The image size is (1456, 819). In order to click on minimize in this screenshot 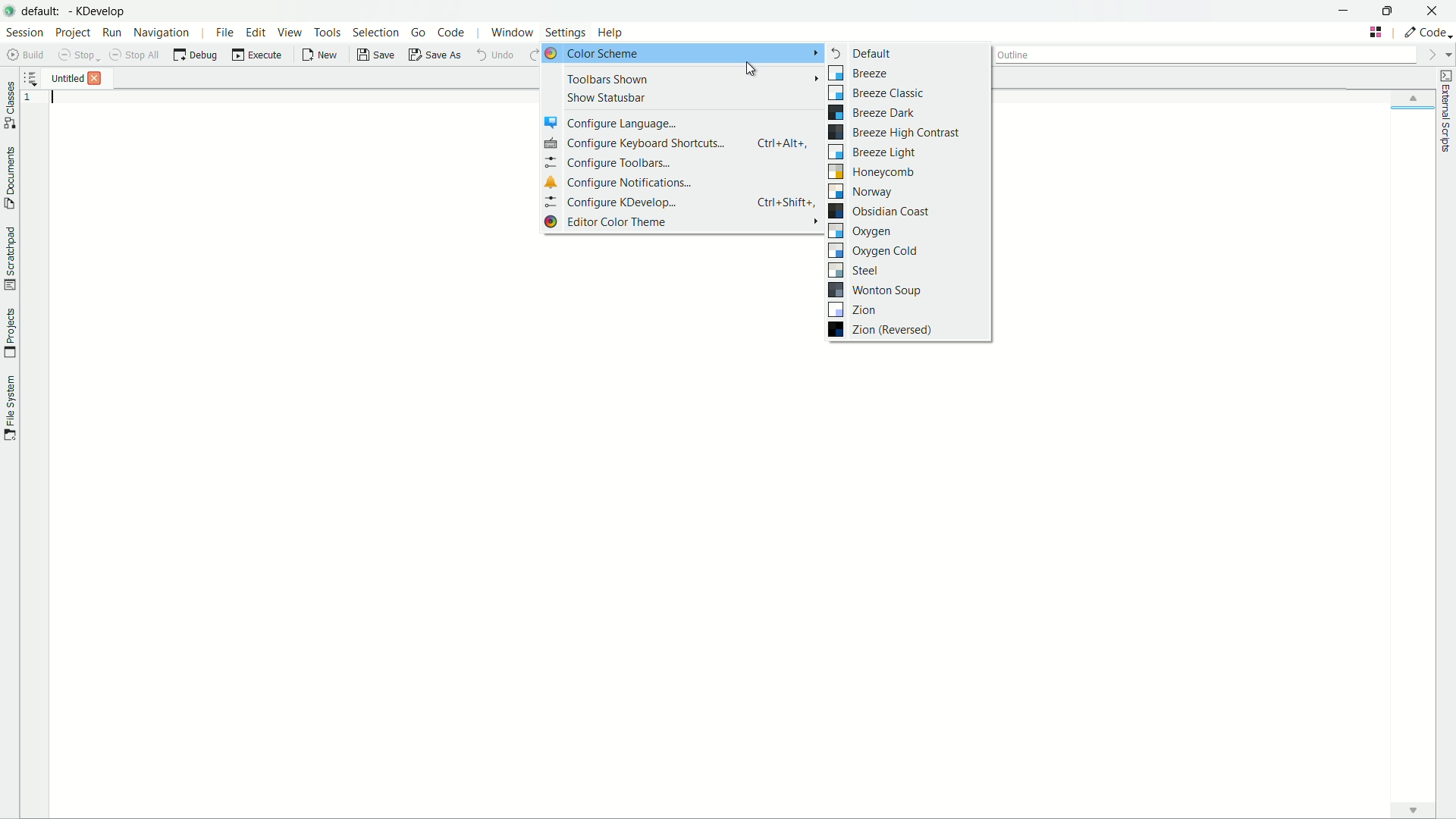, I will do `click(1345, 10)`.